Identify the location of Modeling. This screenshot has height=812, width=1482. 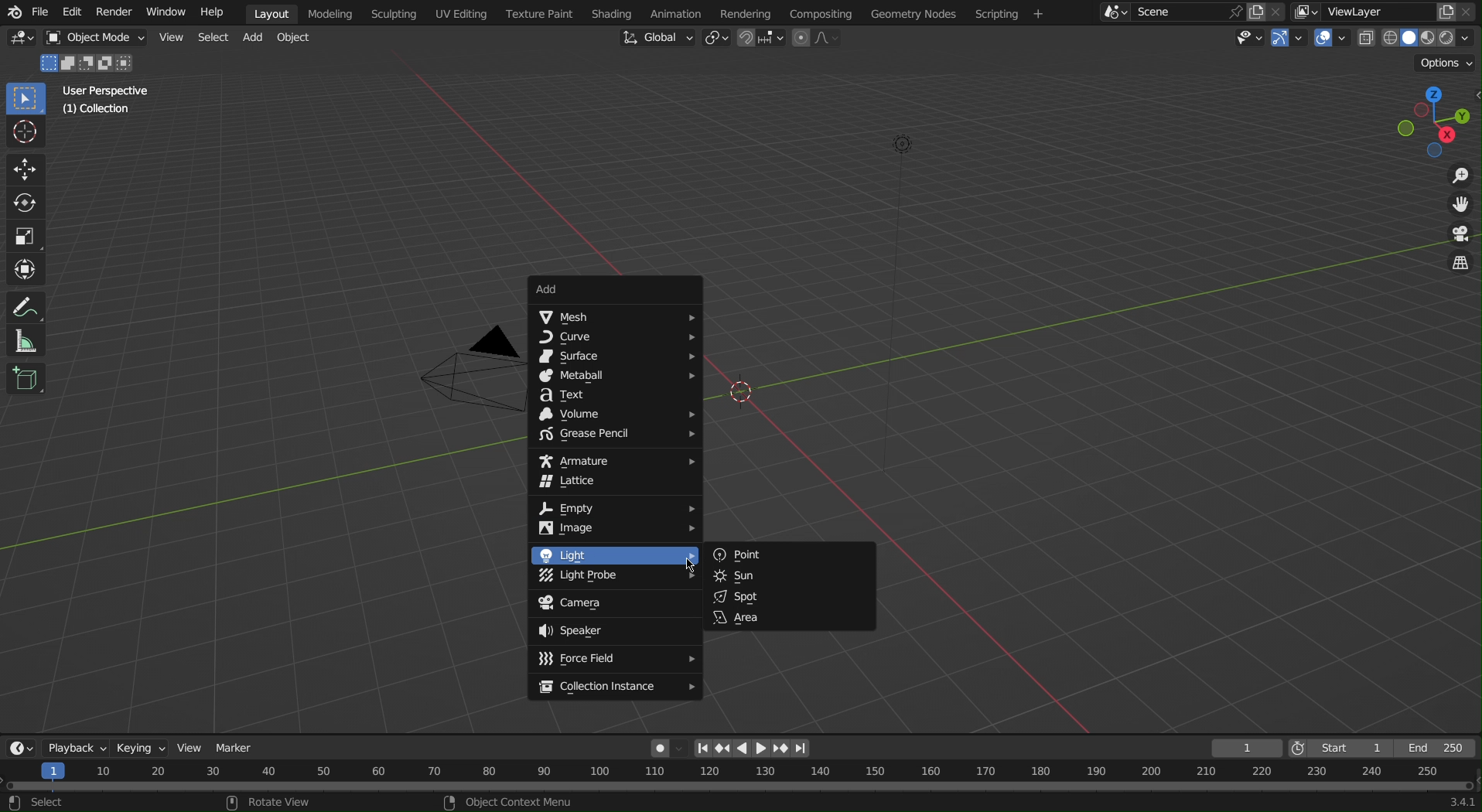
(335, 13).